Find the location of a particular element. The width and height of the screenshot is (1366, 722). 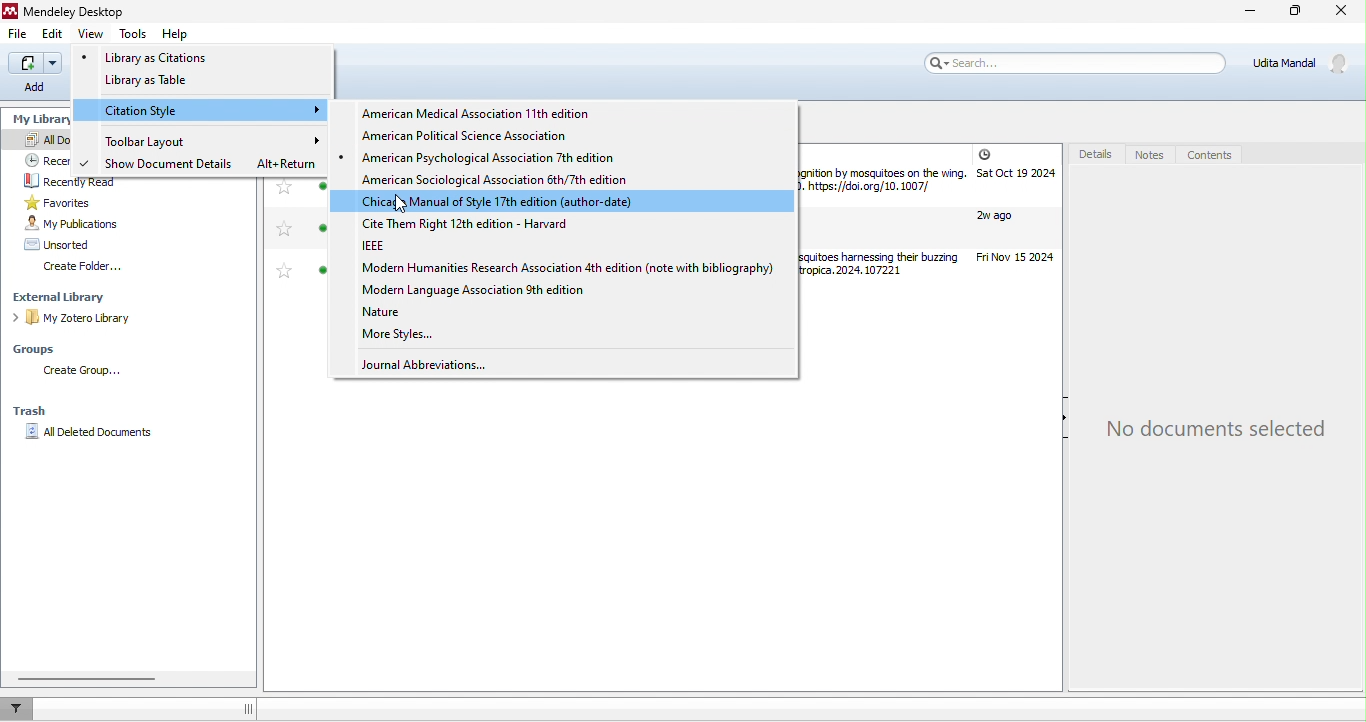

create folder is located at coordinates (85, 269).